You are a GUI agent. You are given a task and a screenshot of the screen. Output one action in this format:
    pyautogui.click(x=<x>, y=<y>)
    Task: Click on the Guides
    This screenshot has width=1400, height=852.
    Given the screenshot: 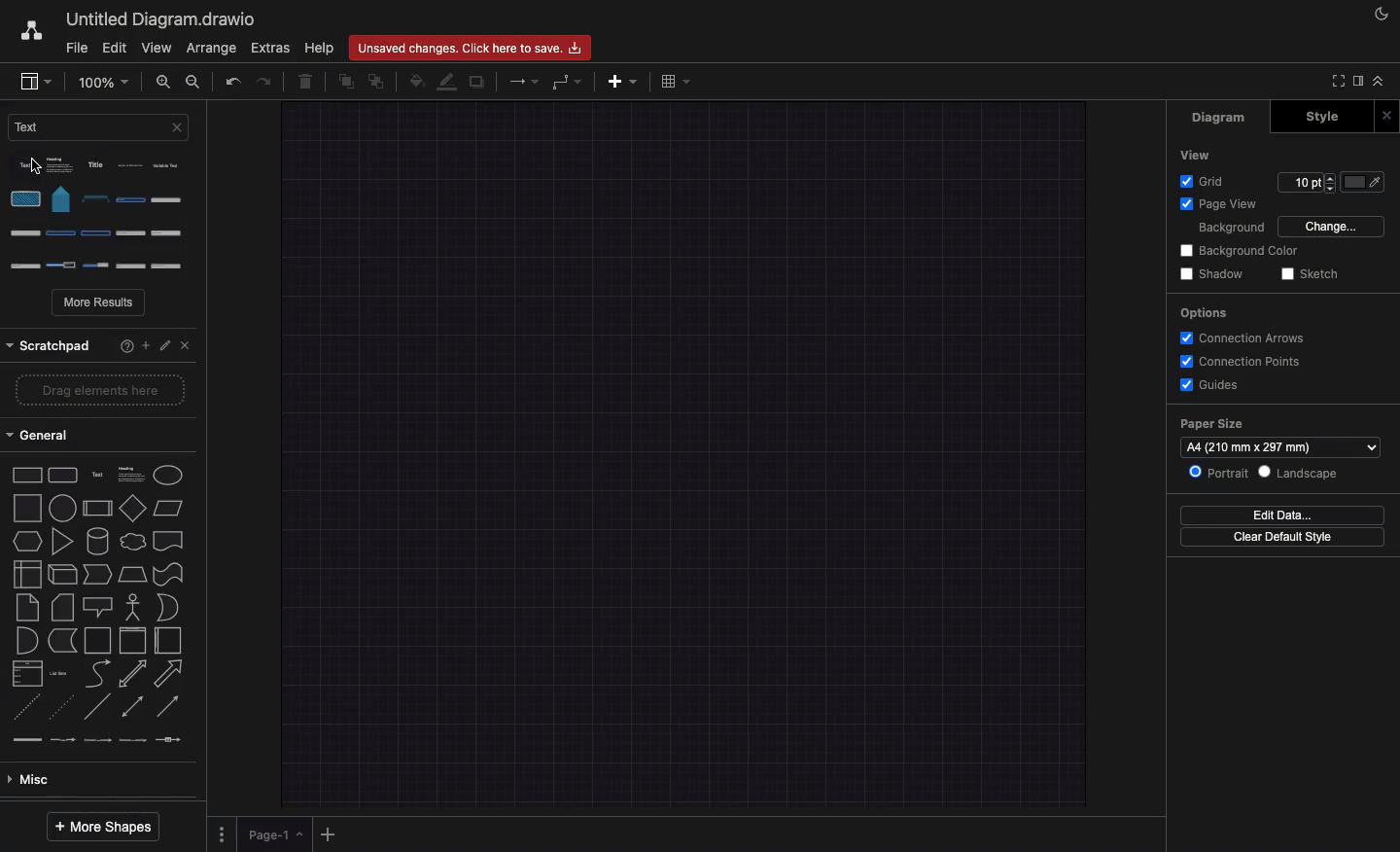 What is the action you would take?
    pyautogui.click(x=1212, y=385)
    